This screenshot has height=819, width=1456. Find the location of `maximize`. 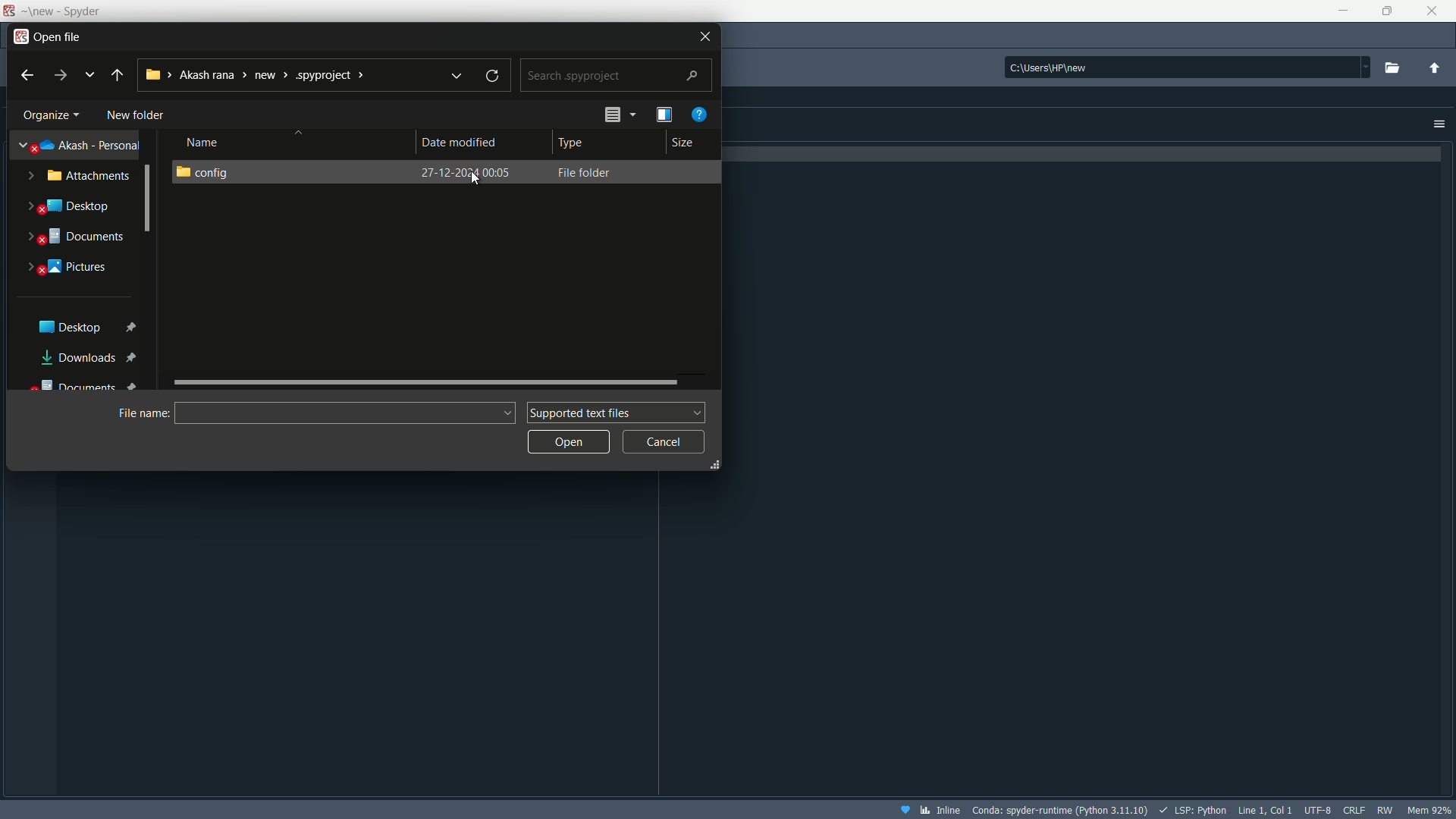

maximize is located at coordinates (1392, 11).